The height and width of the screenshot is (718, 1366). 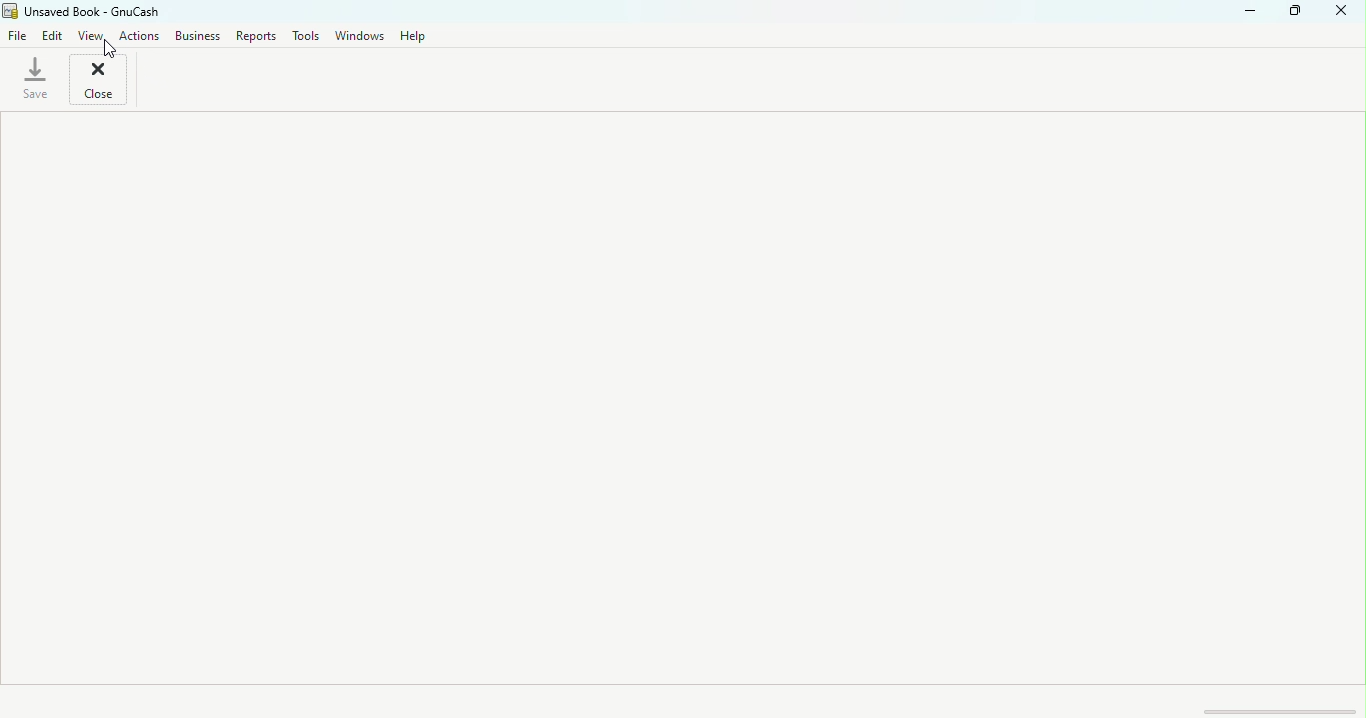 I want to click on Close, so click(x=1343, y=12).